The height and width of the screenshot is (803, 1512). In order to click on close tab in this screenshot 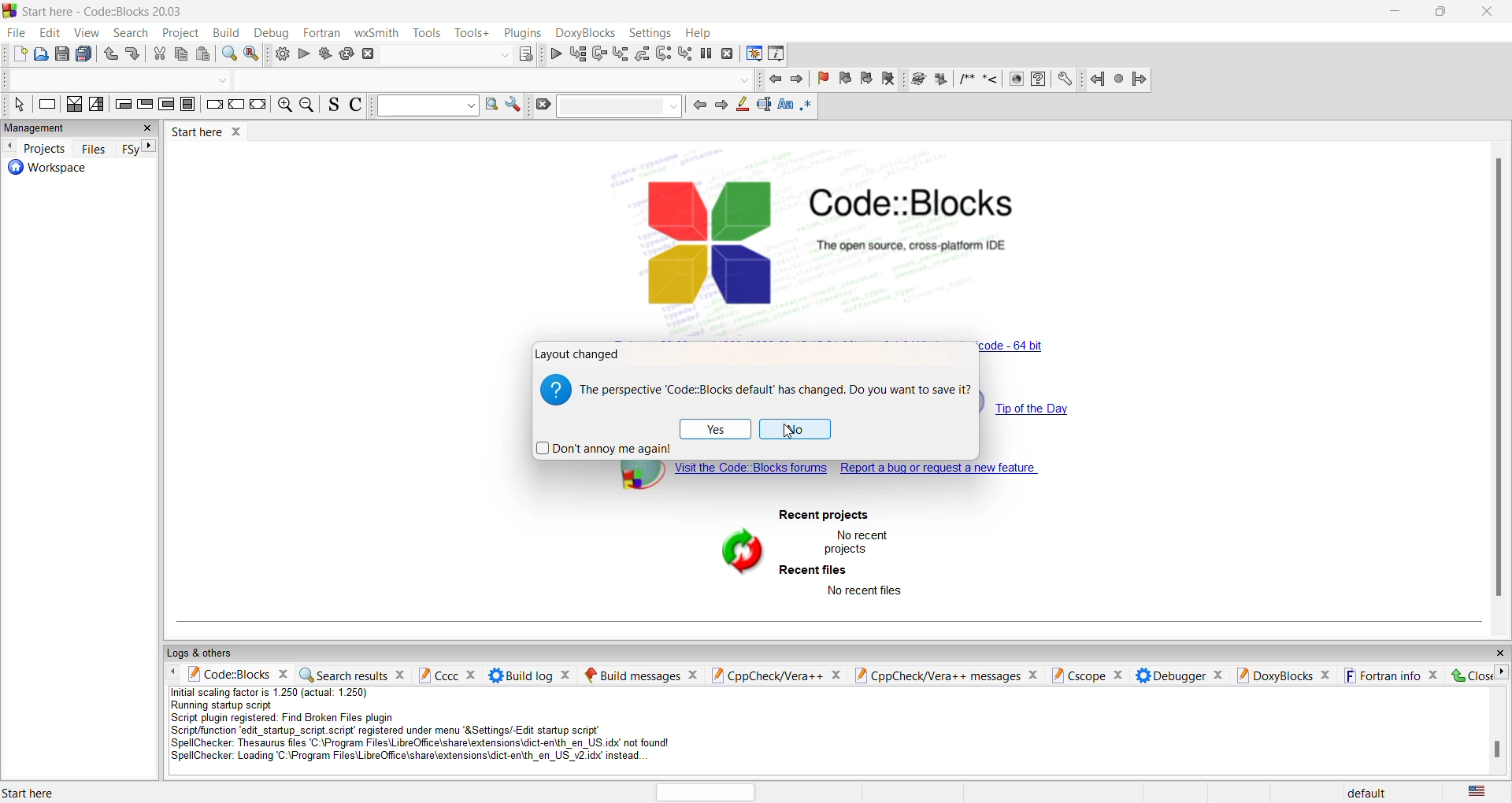, I will do `click(239, 130)`.